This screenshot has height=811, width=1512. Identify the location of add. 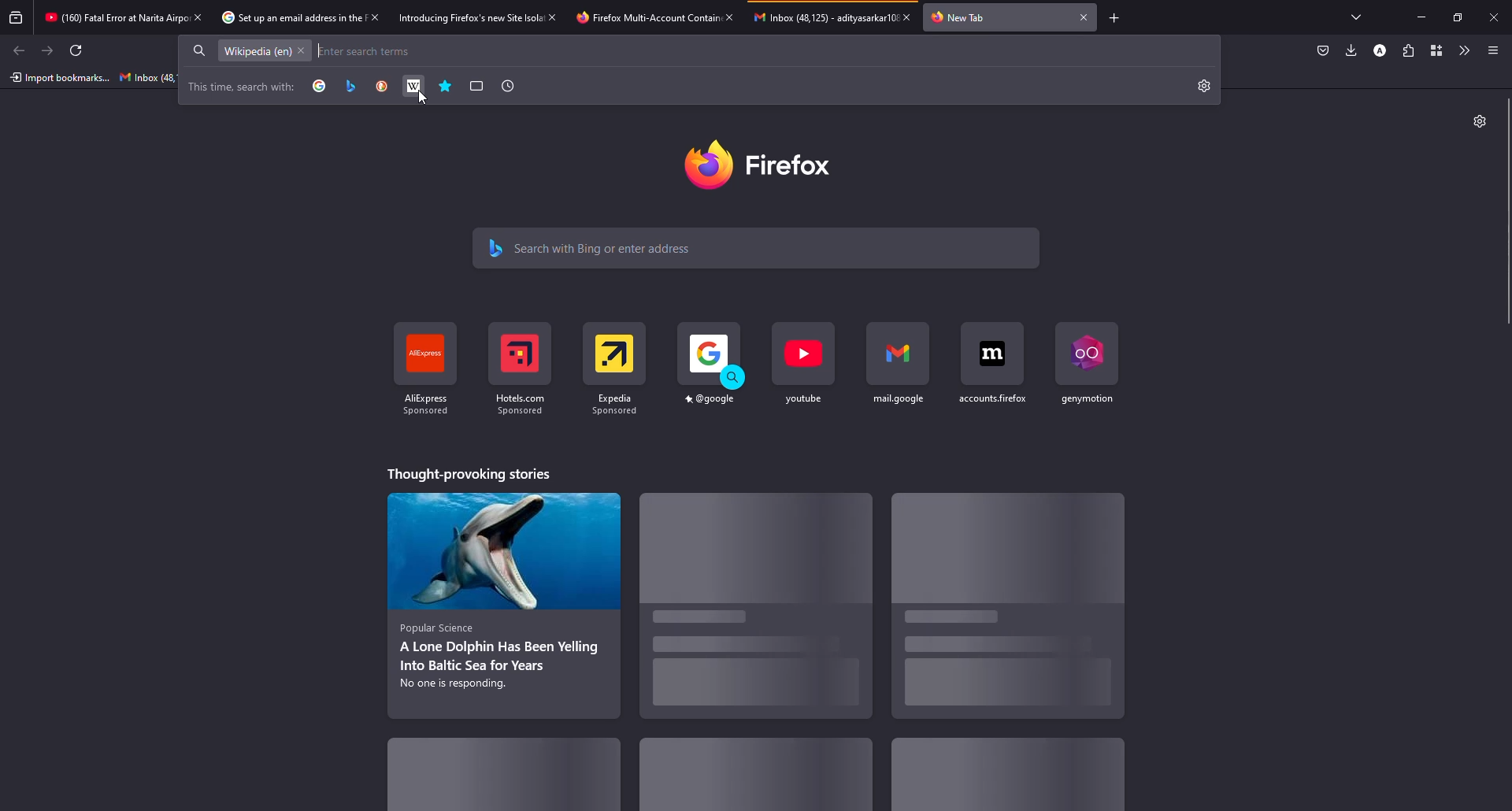
(1115, 19).